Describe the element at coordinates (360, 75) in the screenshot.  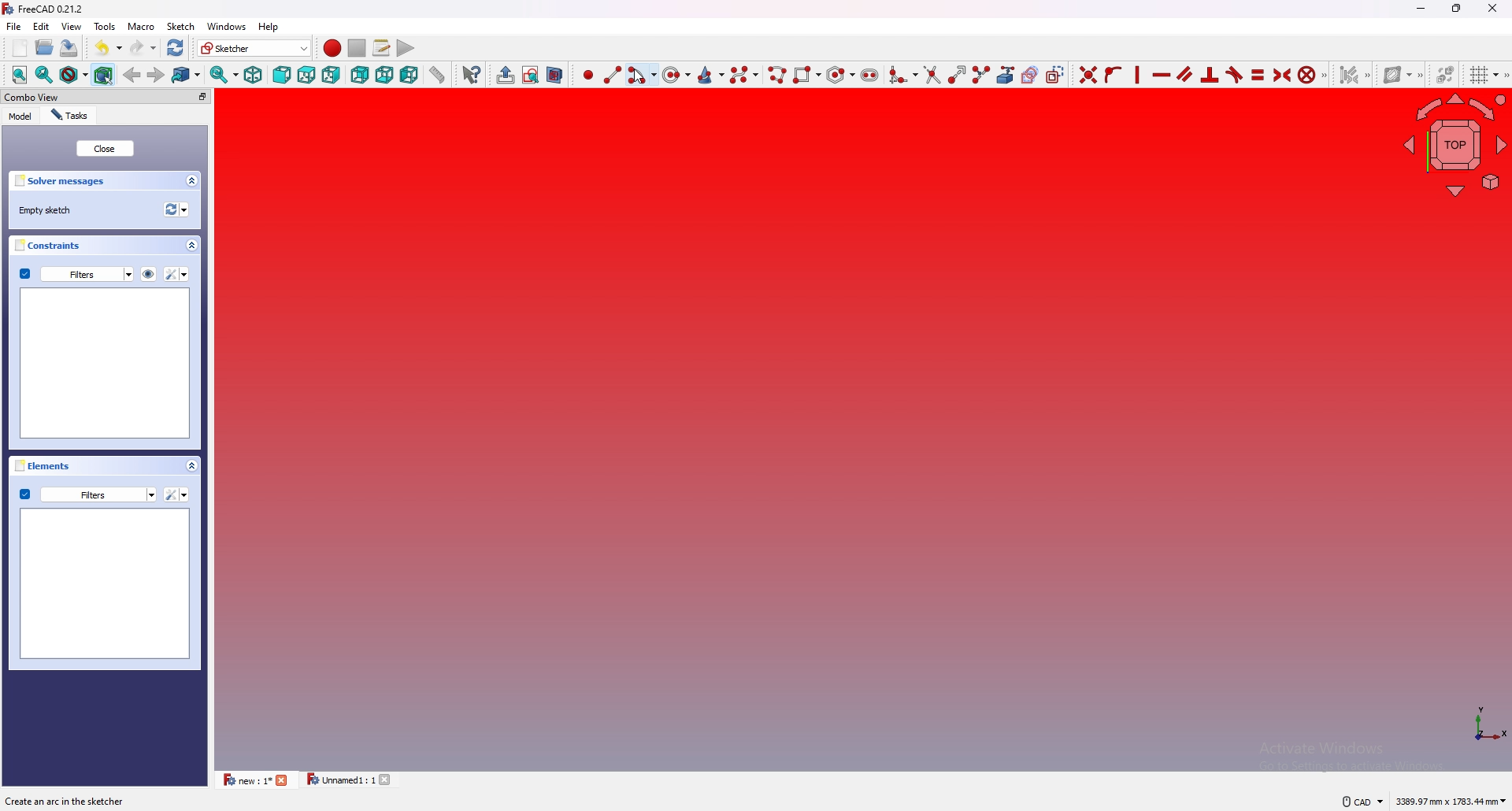
I see `back` at that location.